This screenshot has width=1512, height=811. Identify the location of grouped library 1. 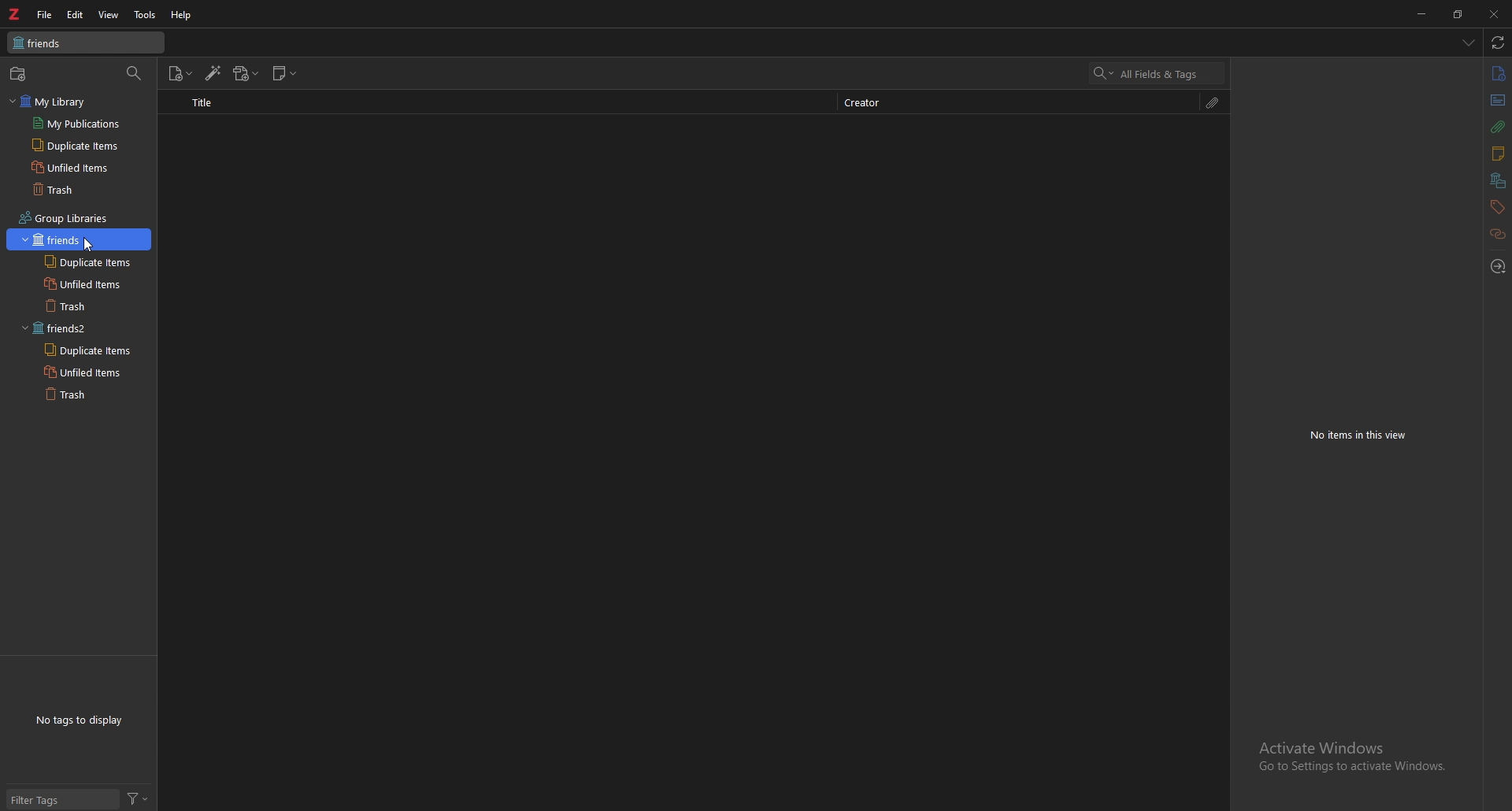
(80, 240).